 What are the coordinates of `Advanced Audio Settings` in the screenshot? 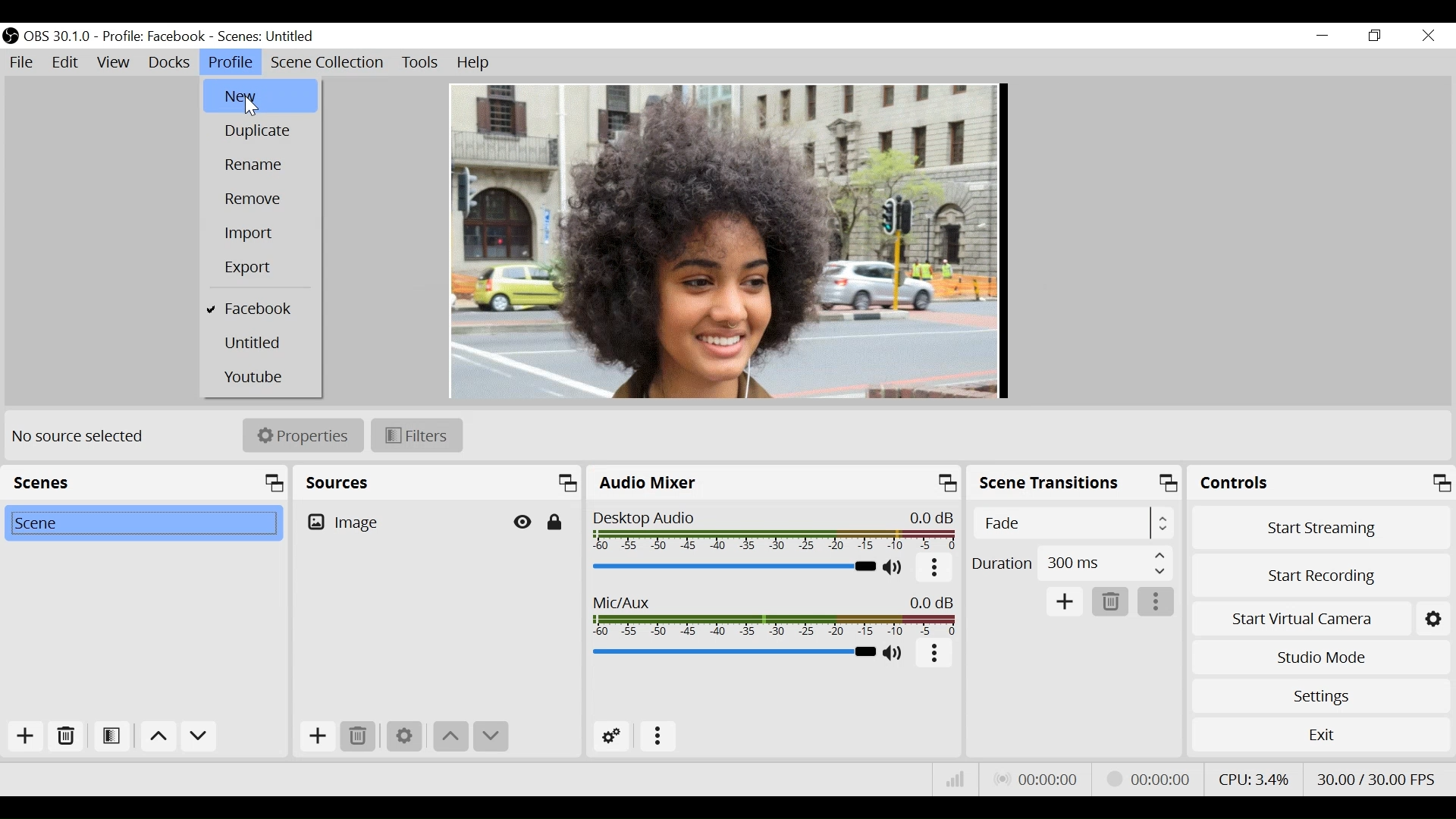 It's located at (613, 736).